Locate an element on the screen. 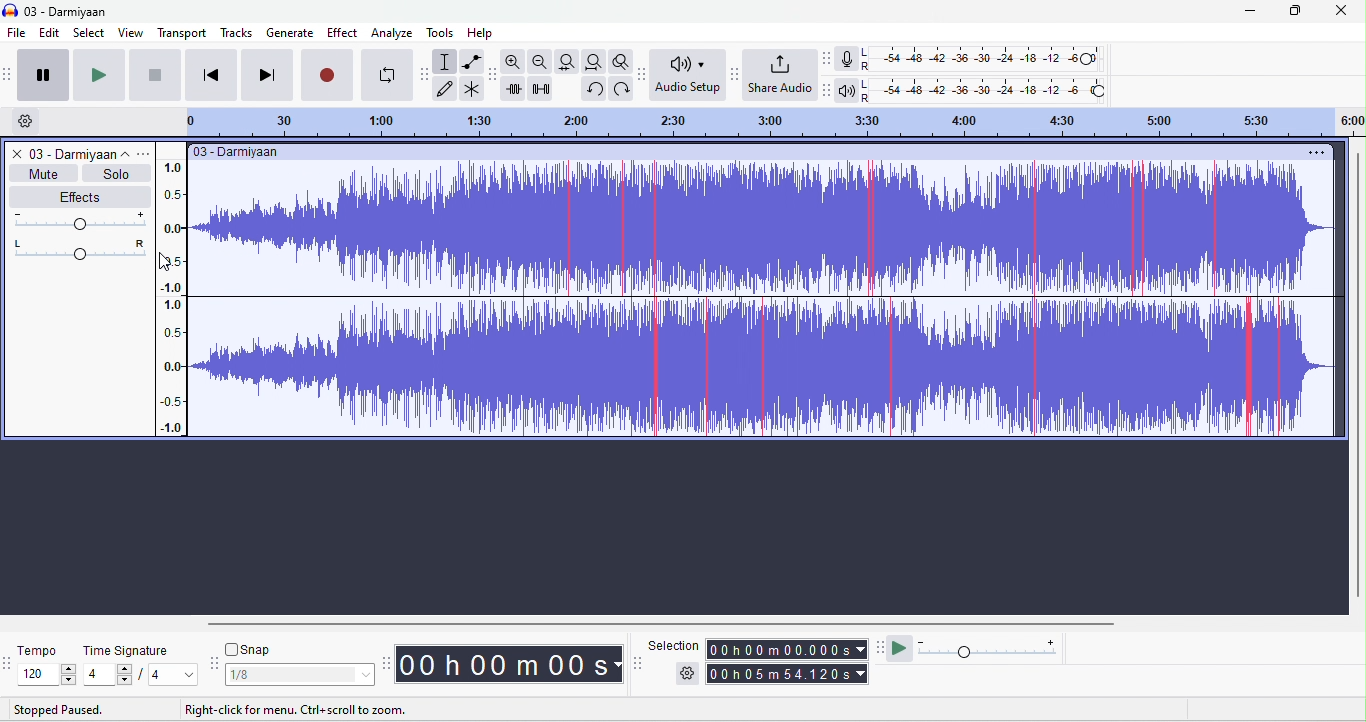 The height and width of the screenshot is (722, 1366). help is located at coordinates (482, 33).